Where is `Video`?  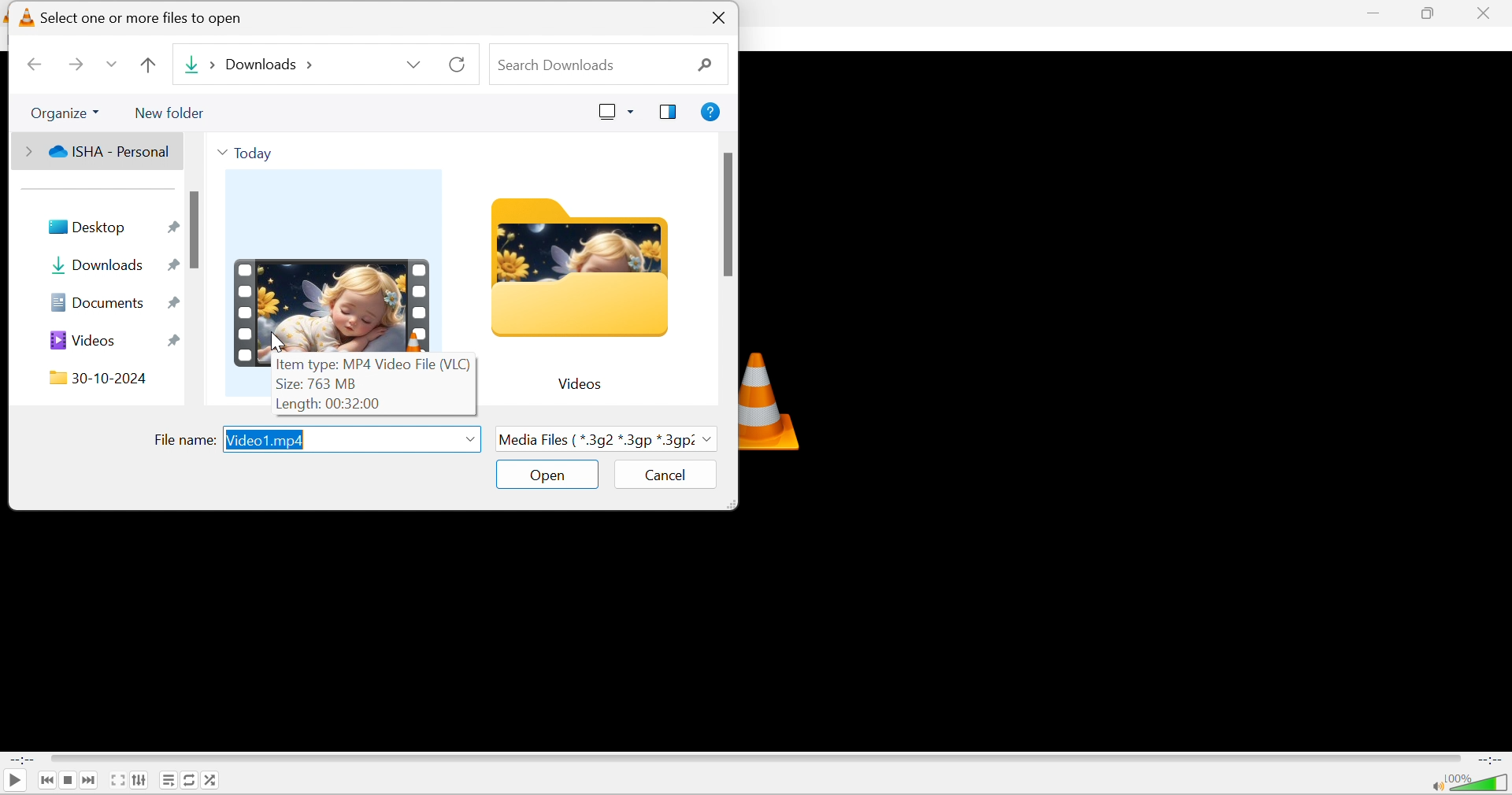 Video is located at coordinates (332, 303).